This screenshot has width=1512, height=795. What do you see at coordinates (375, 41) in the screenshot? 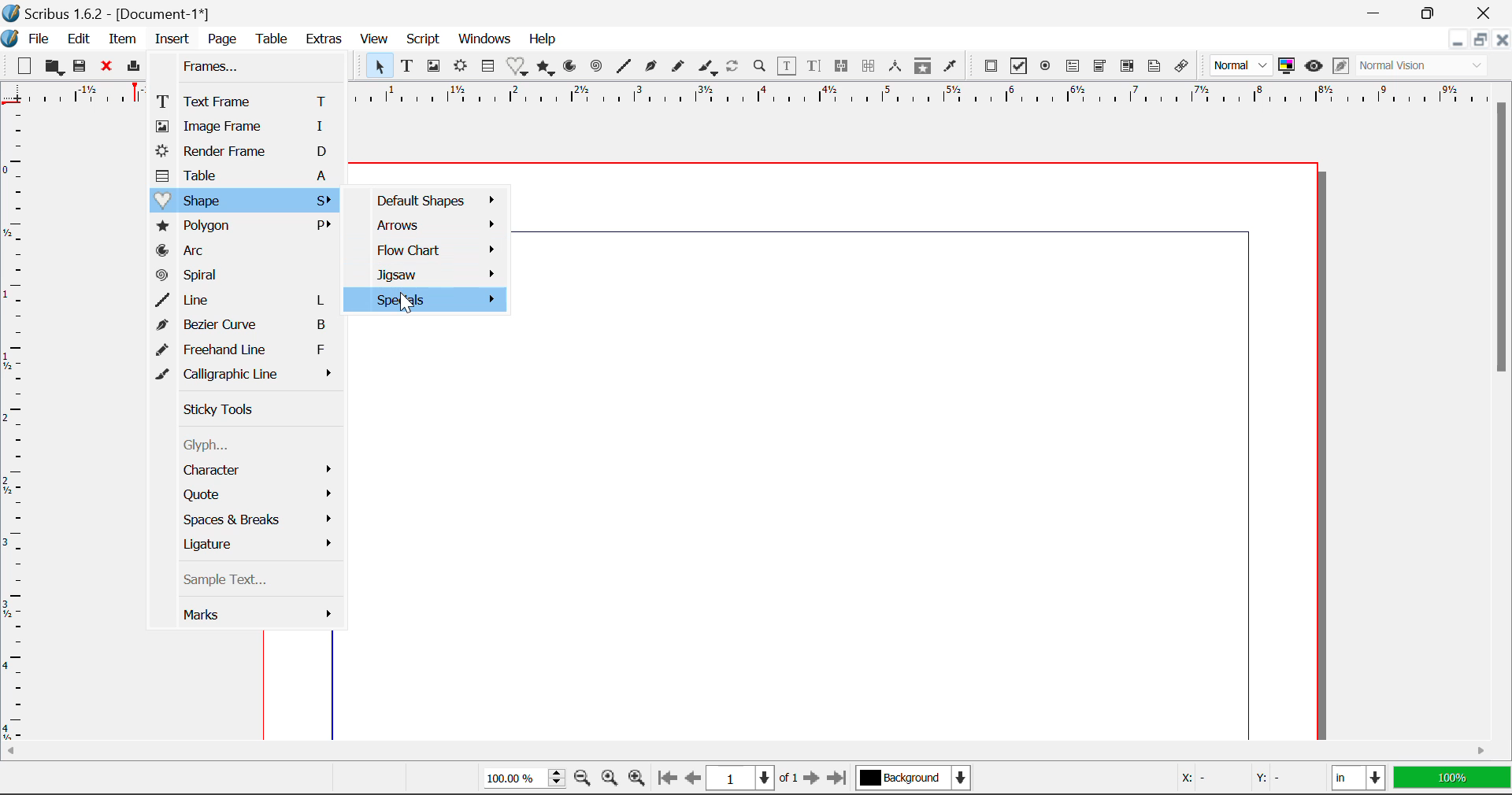
I see `View` at bounding box center [375, 41].